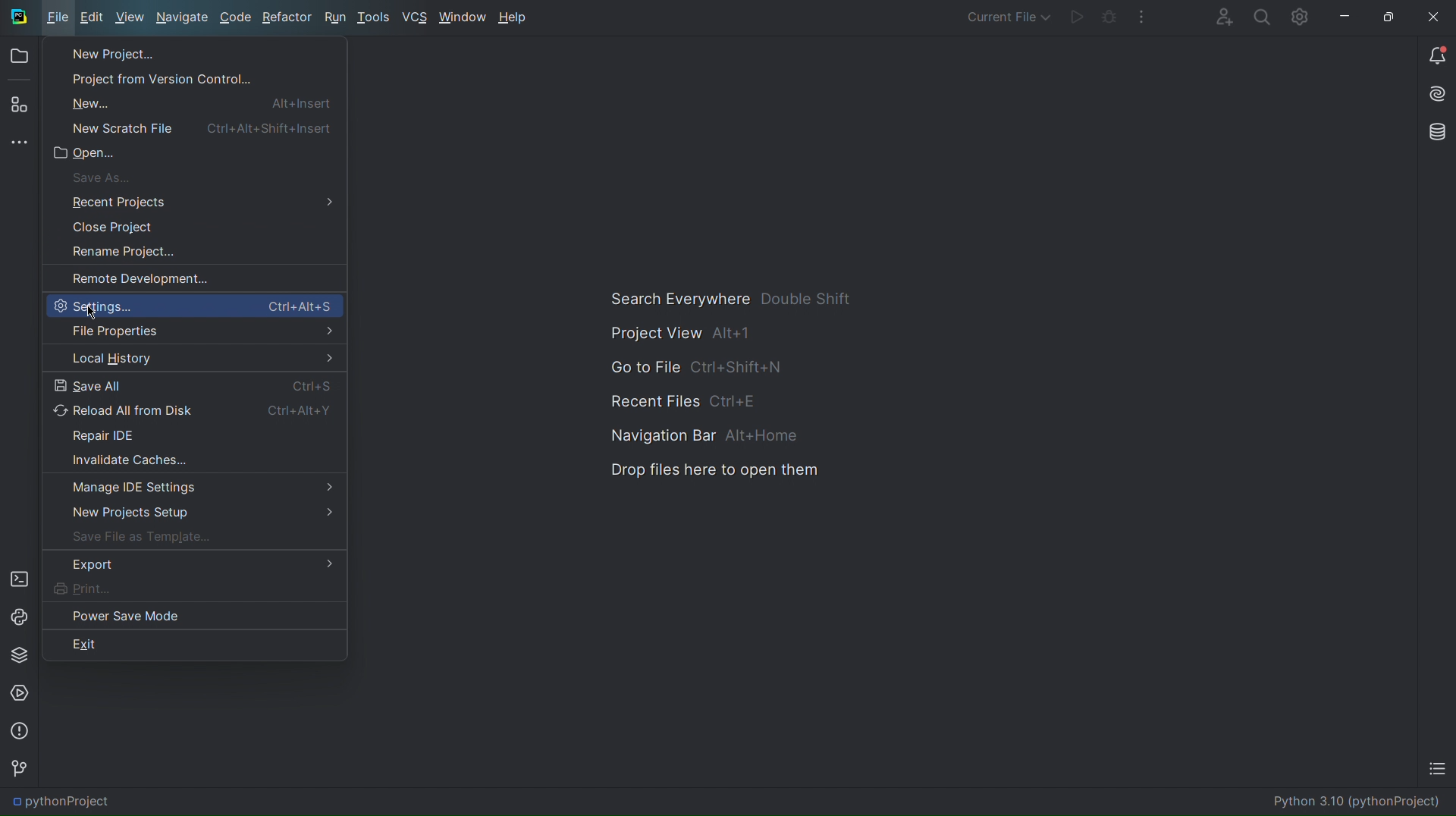 The image size is (1456, 816). Describe the element at coordinates (21, 58) in the screenshot. I see `Open` at that location.